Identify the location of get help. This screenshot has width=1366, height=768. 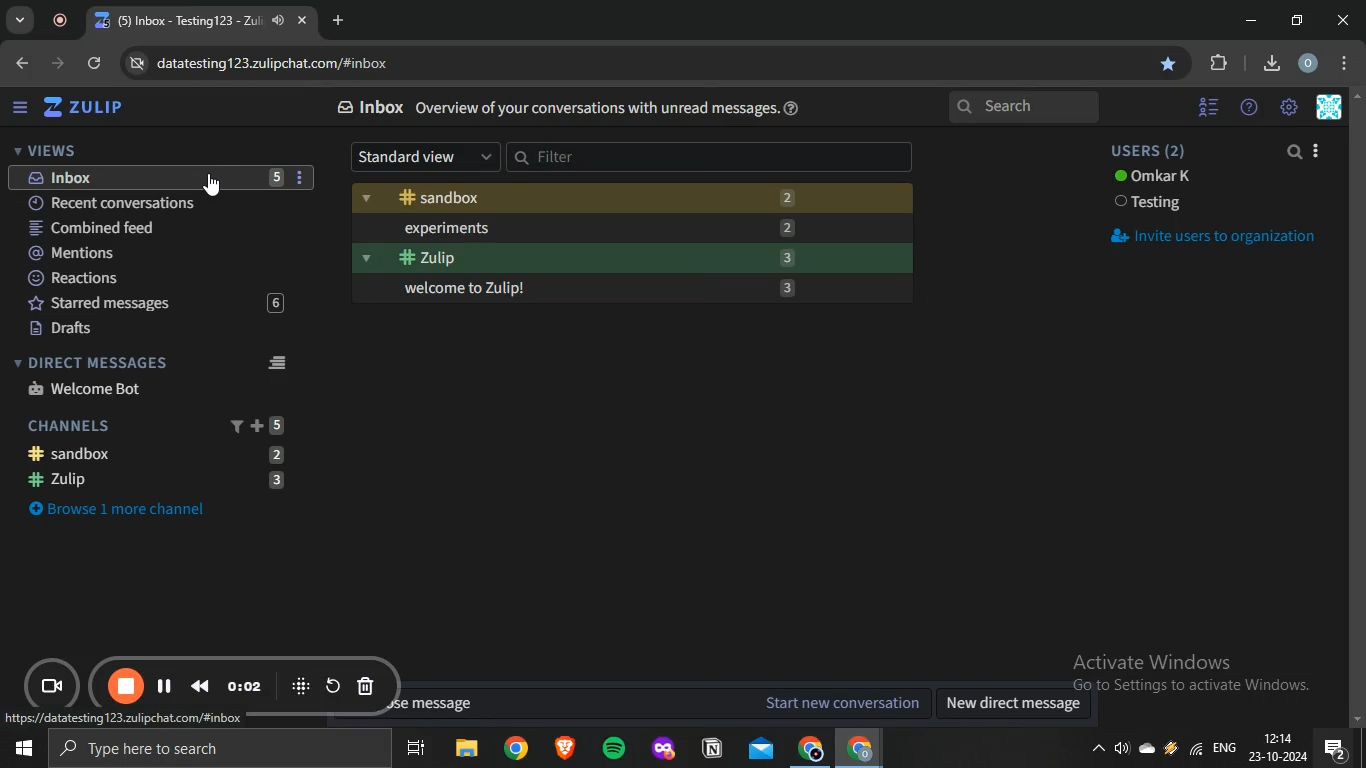
(795, 108).